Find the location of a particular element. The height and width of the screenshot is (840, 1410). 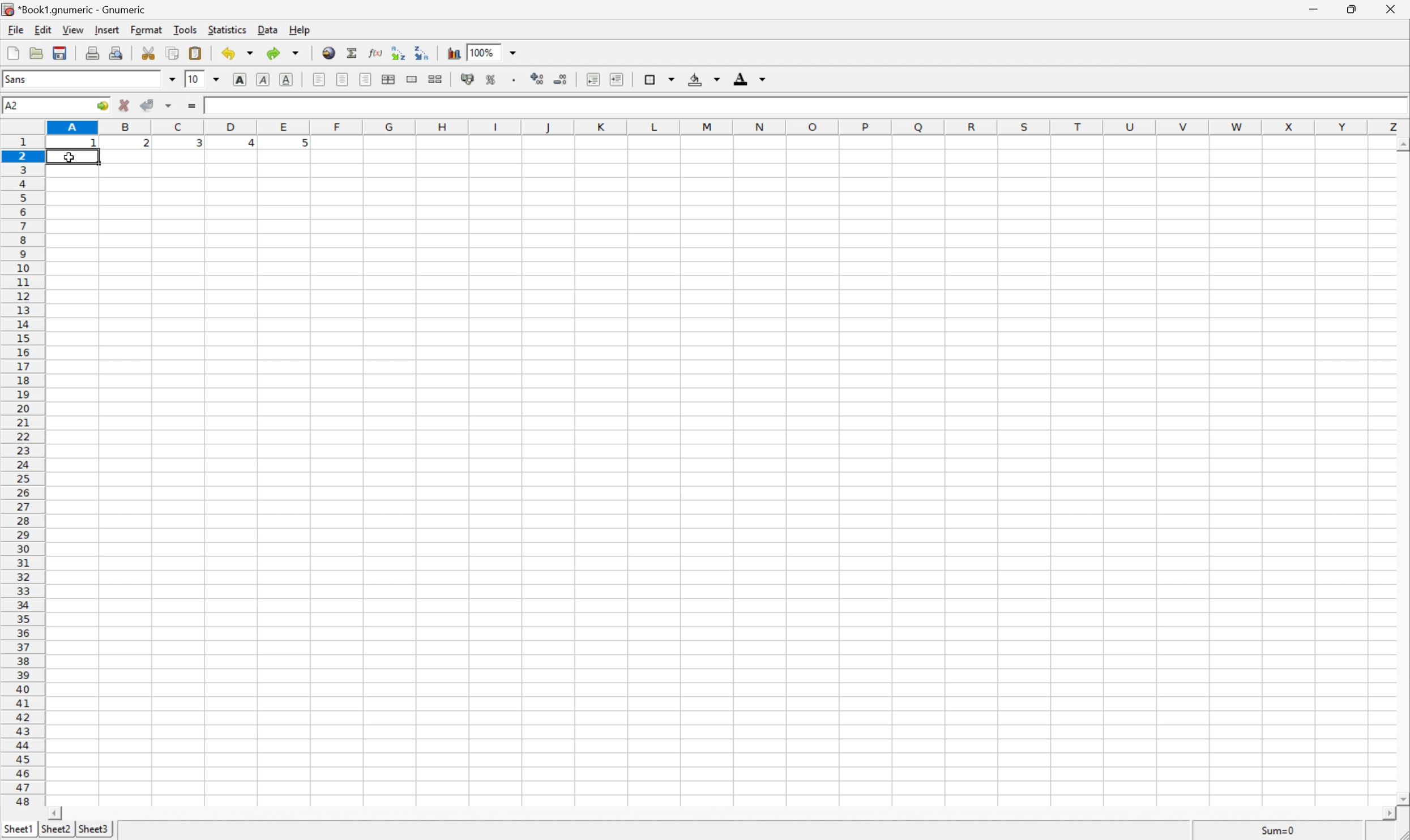

restore down is located at coordinates (1355, 8).